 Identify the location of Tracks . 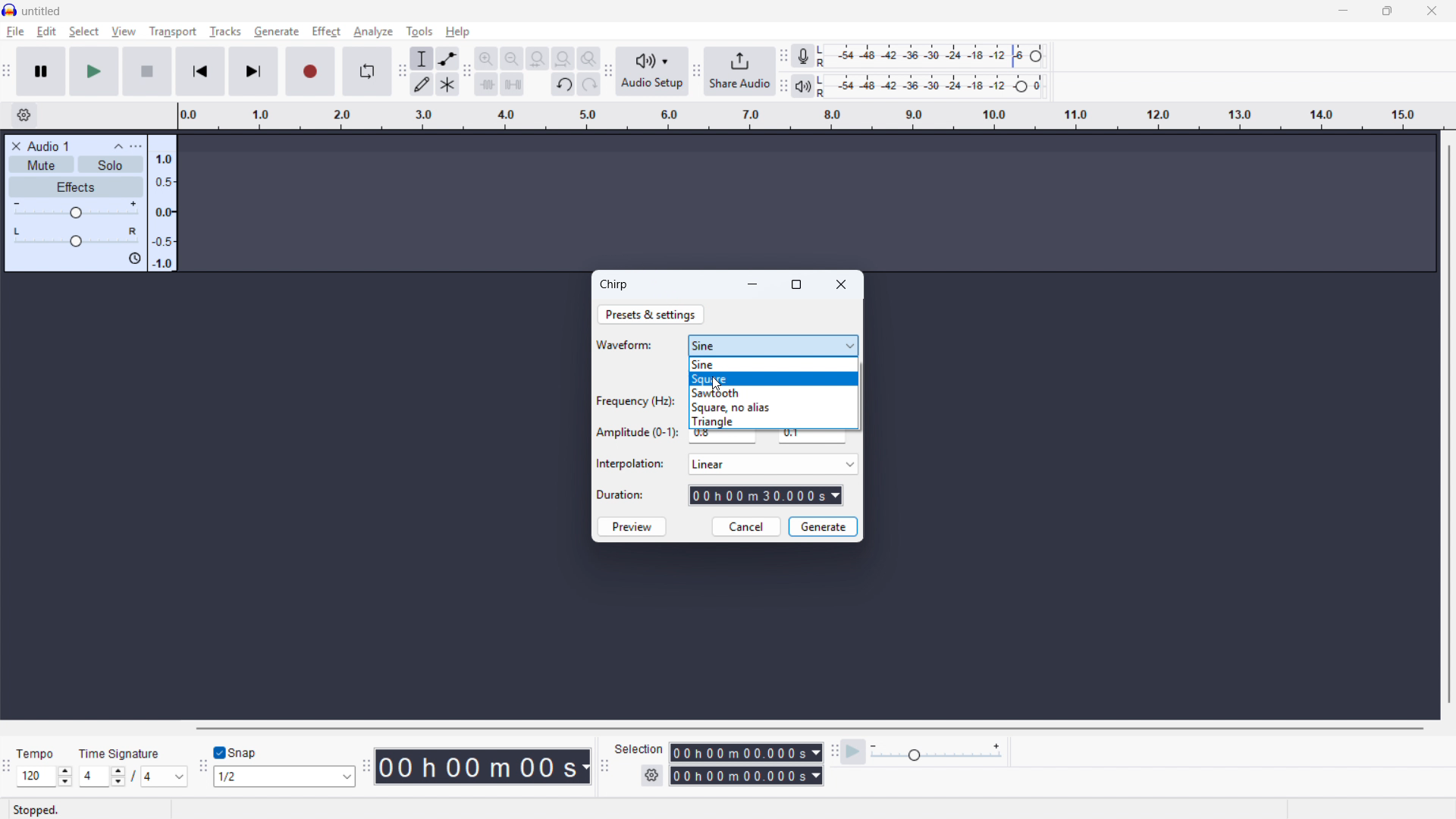
(224, 31).